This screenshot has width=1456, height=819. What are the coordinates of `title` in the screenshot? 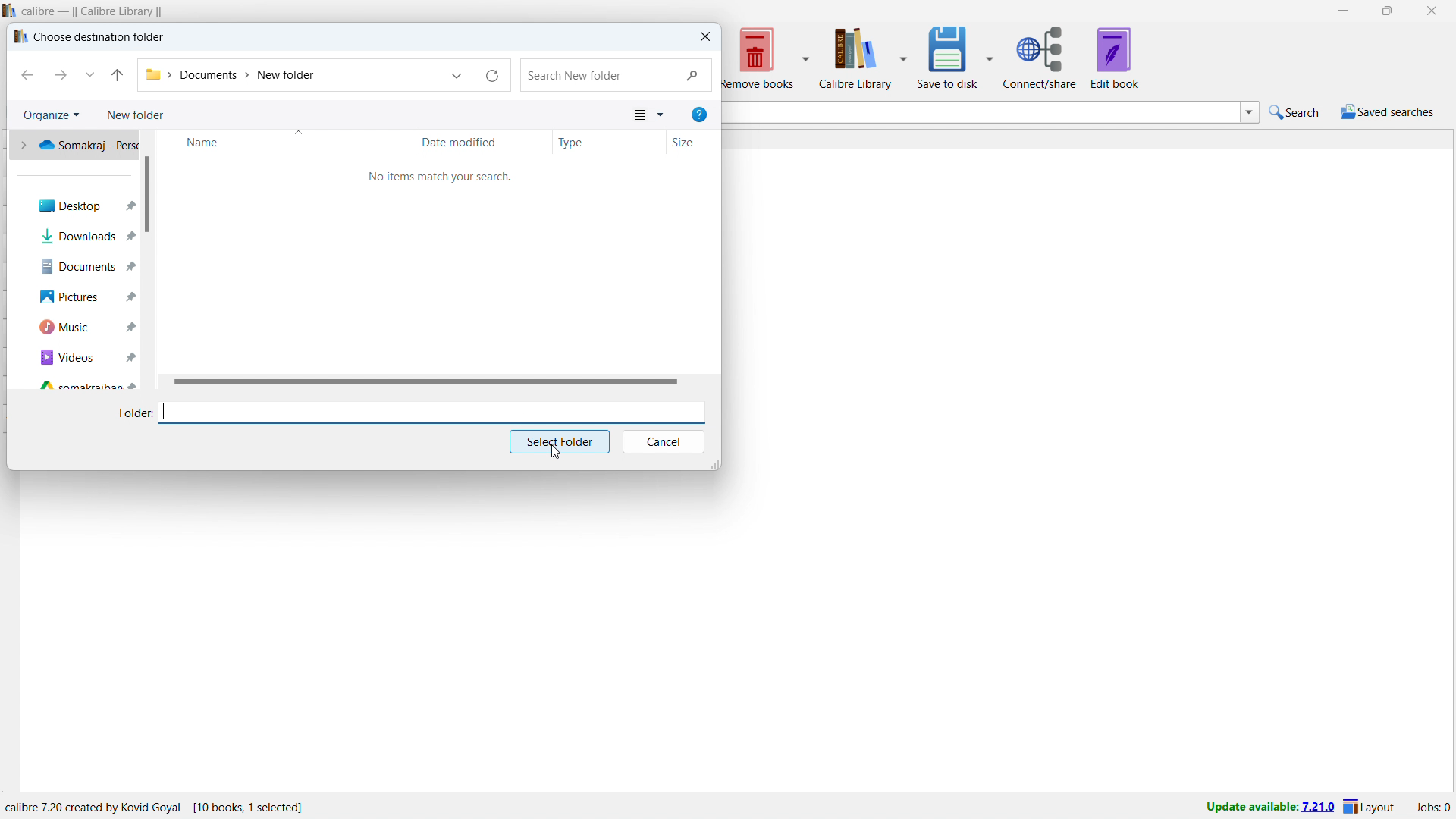 It's located at (93, 11).